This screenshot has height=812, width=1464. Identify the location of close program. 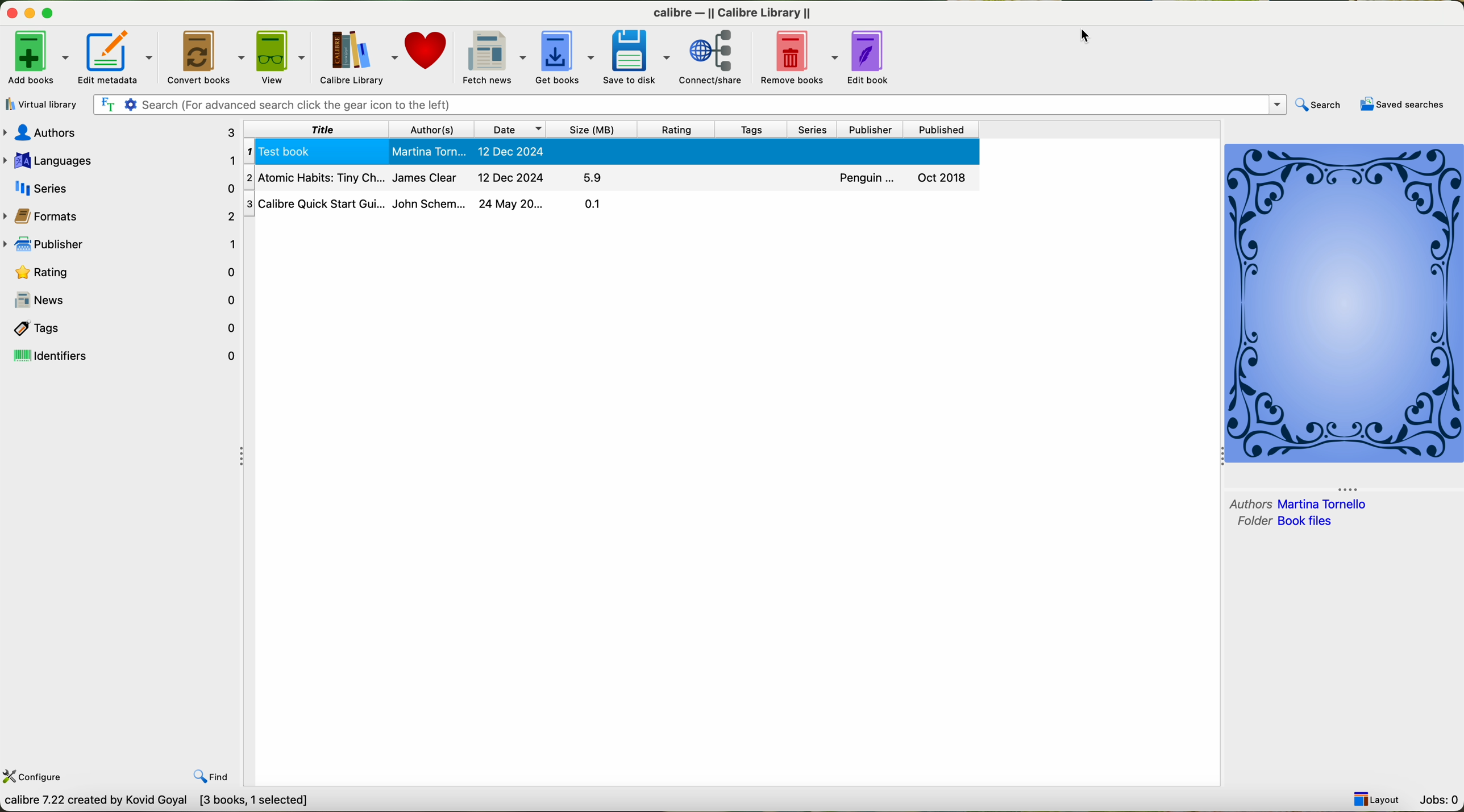
(9, 9).